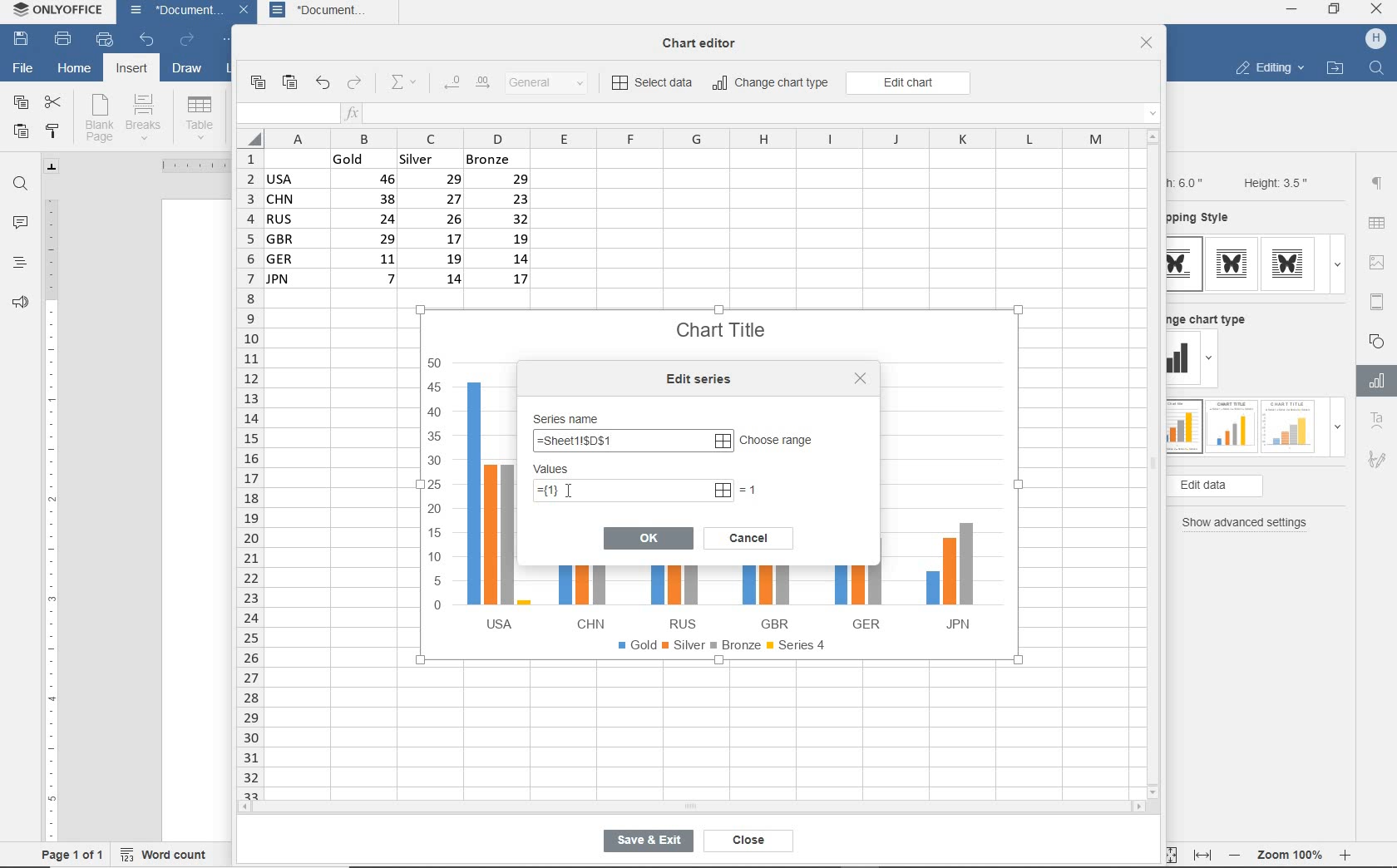 The height and width of the screenshot is (868, 1397). What do you see at coordinates (1337, 432) in the screenshot?
I see `dropdown` at bounding box center [1337, 432].